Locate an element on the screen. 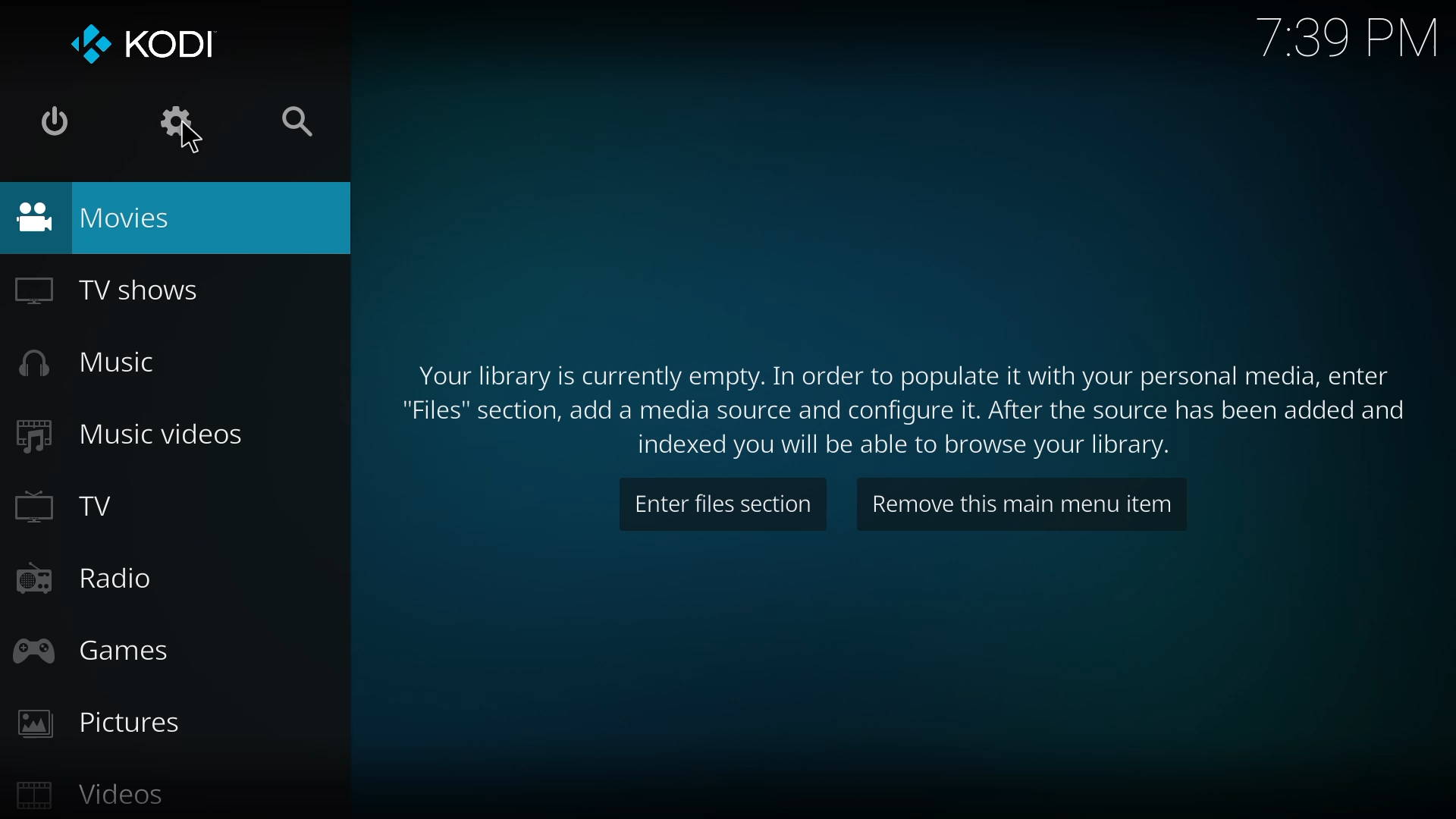 The image size is (1456, 819). radio is located at coordinates (80, 579).